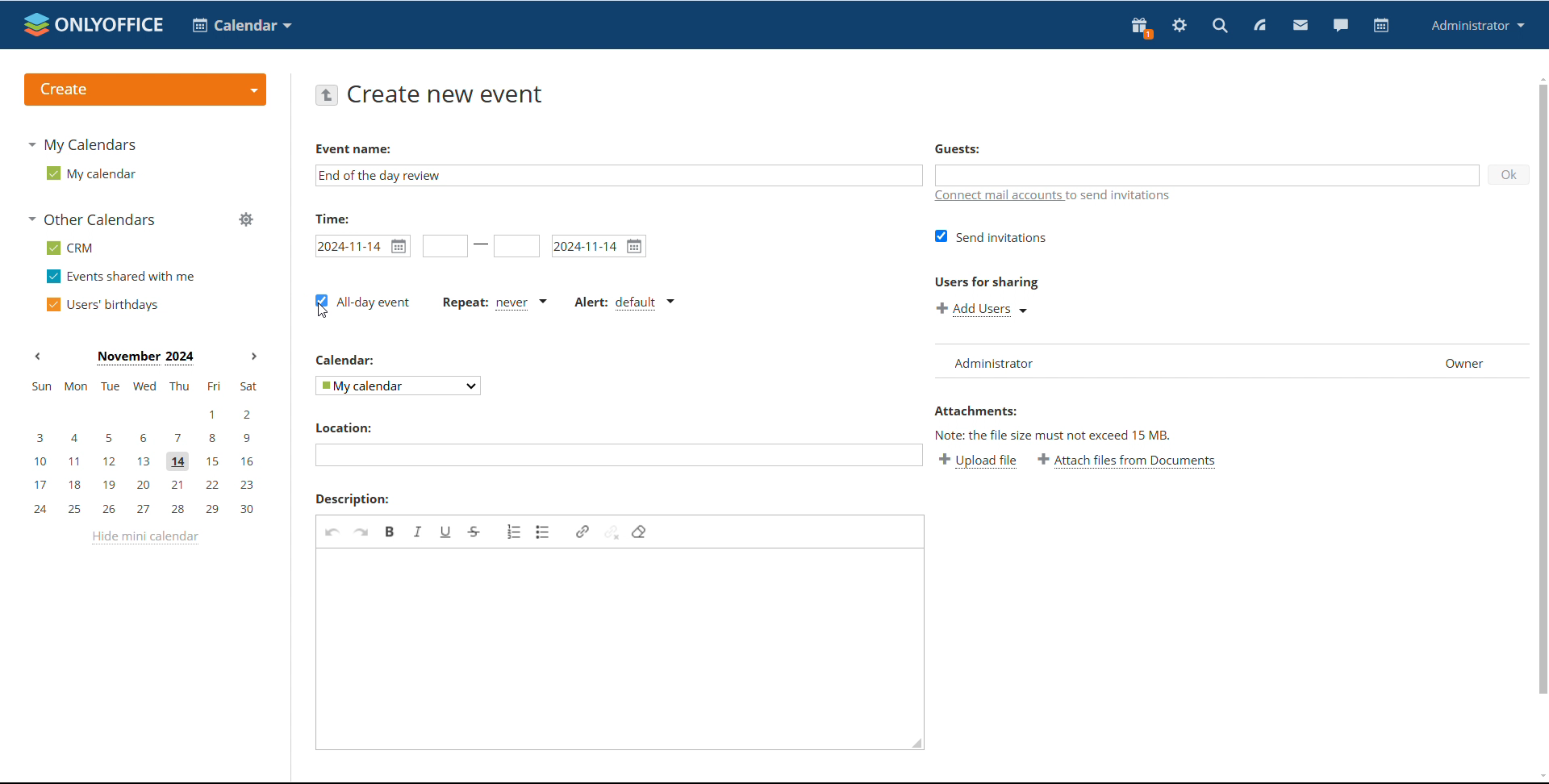  I want to click on other calendars, so click(94, 219).